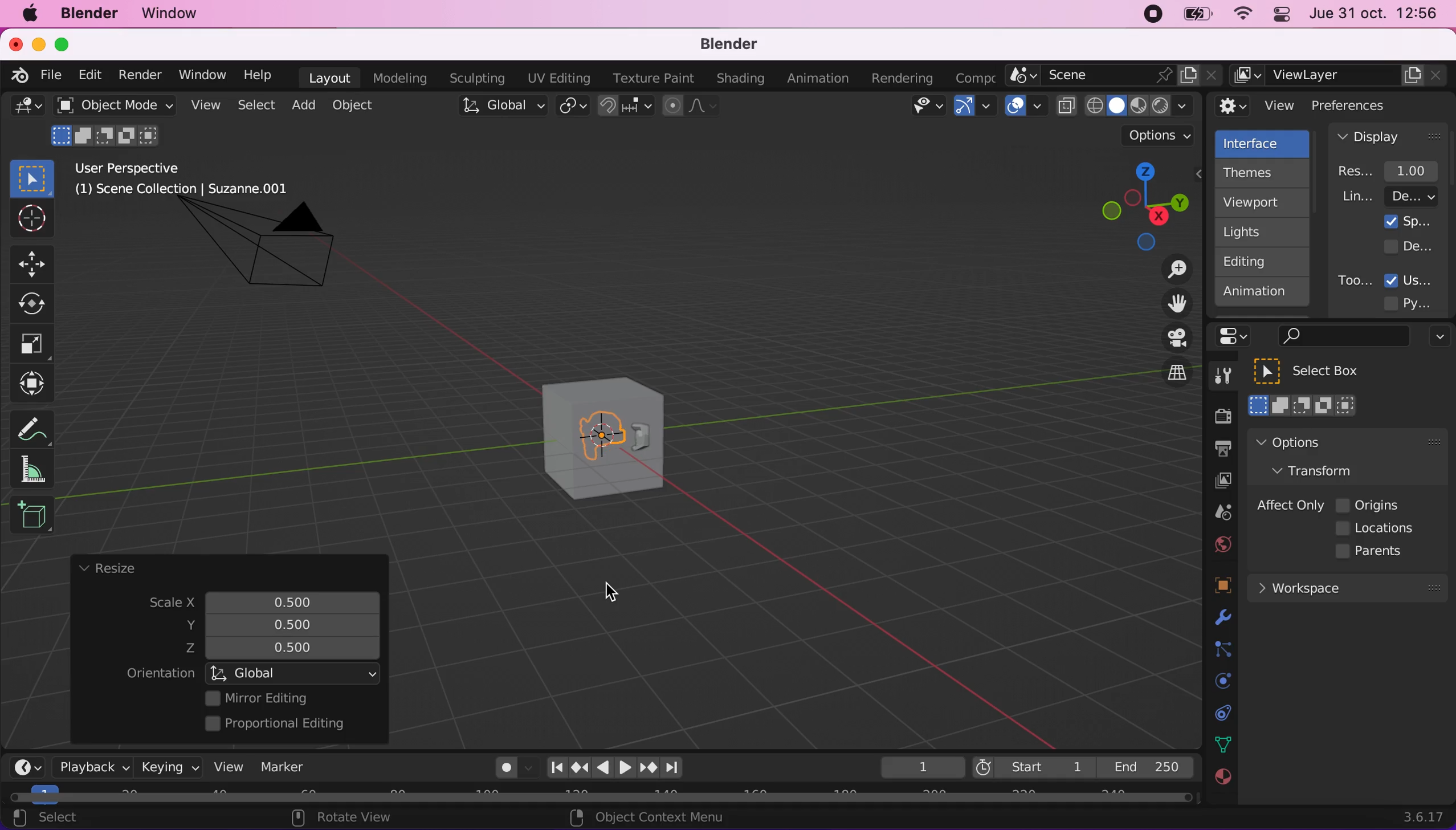  What do you see at coordinates (289, 698) in the screenshot?
I see `mirror editing` at bounding box center [289, 698].